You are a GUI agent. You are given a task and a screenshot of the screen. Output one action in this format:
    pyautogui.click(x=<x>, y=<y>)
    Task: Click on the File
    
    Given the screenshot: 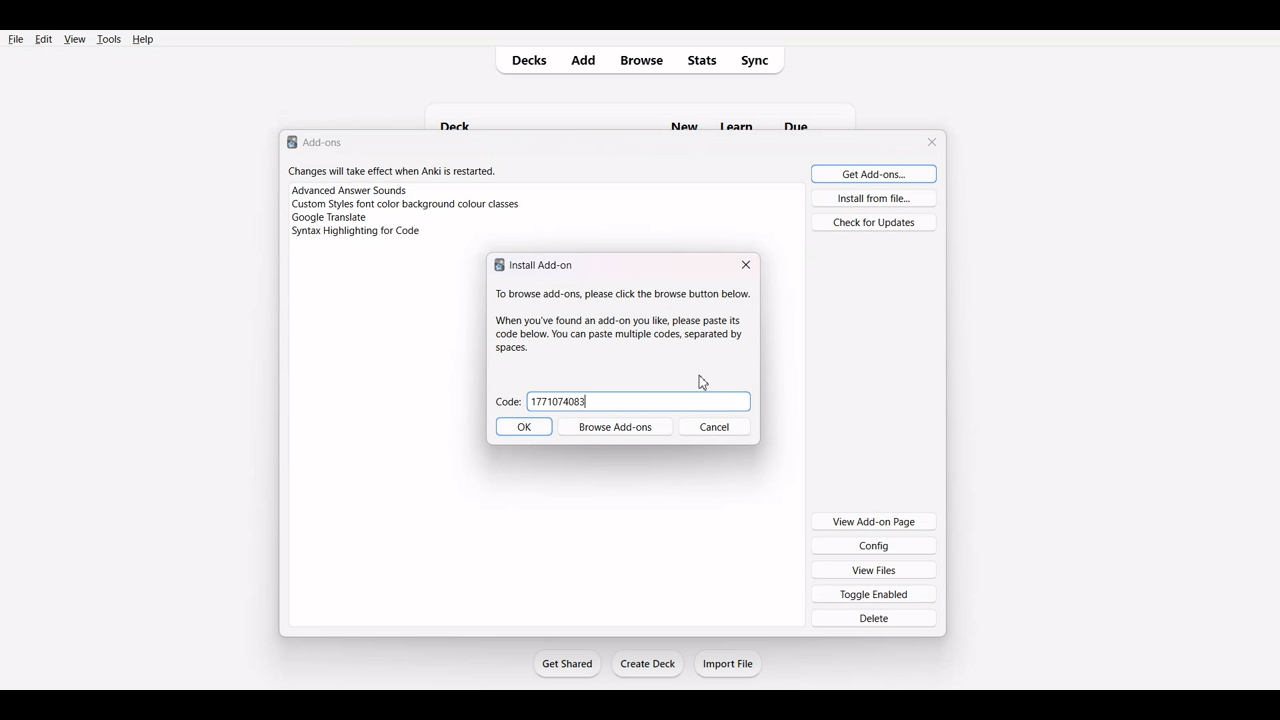 What is the action you would take?
    pyautogui.click(x=16, y=38)
    